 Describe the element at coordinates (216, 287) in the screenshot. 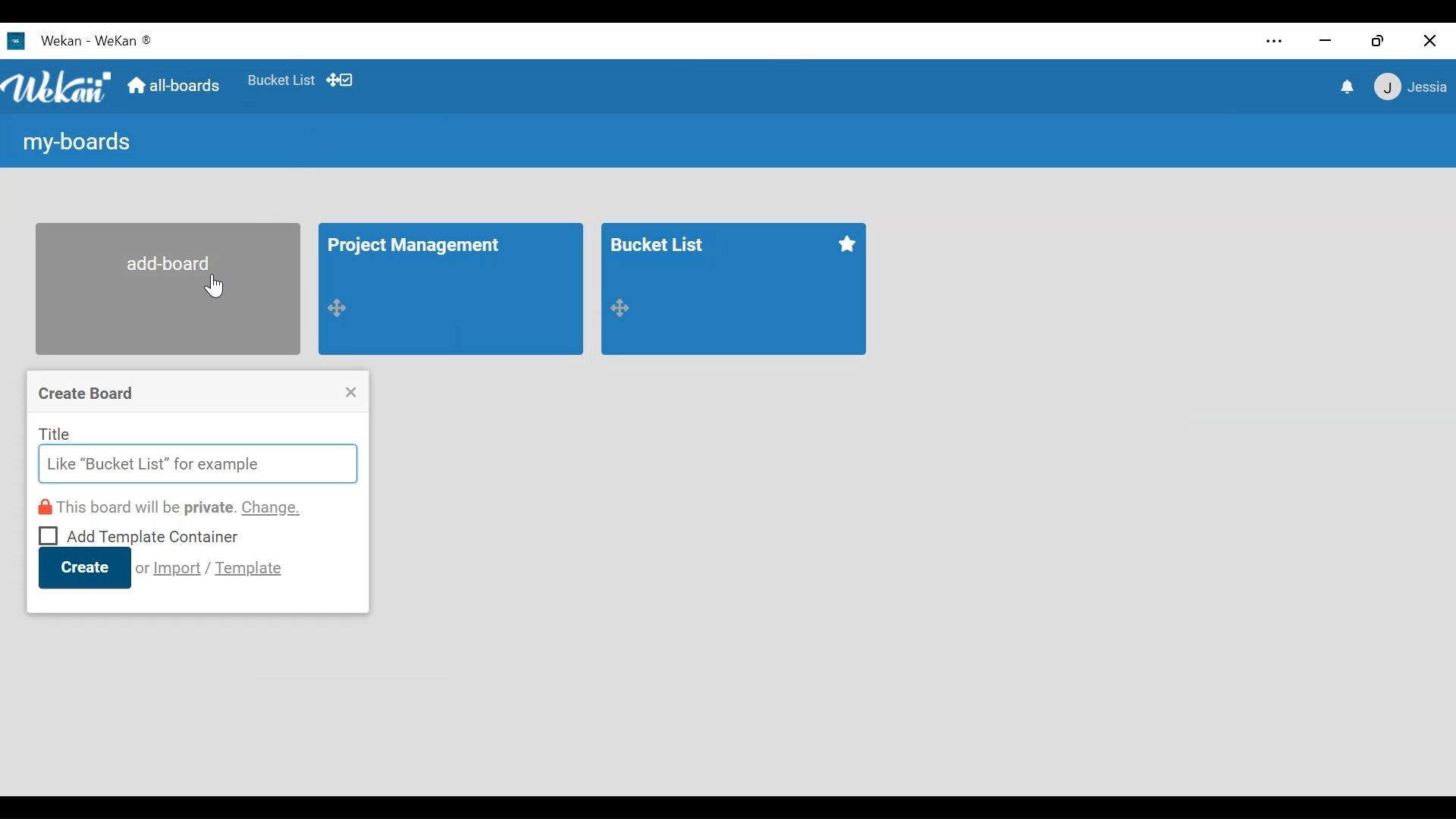

I see `Cursor` at that location.